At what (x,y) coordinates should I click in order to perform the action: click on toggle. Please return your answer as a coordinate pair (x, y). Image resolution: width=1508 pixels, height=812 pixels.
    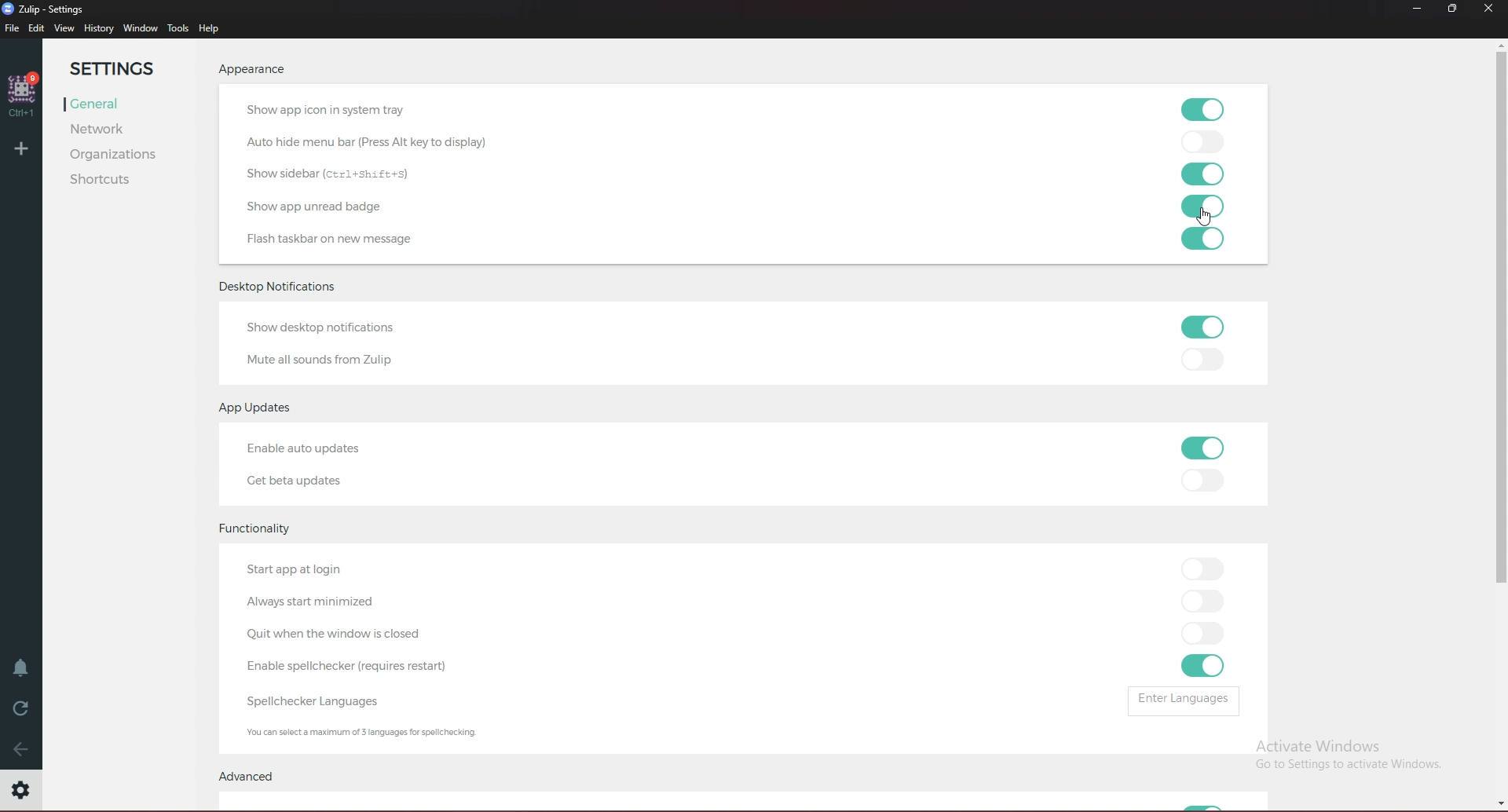
    Looking at the image, I should click on (1206, 109).